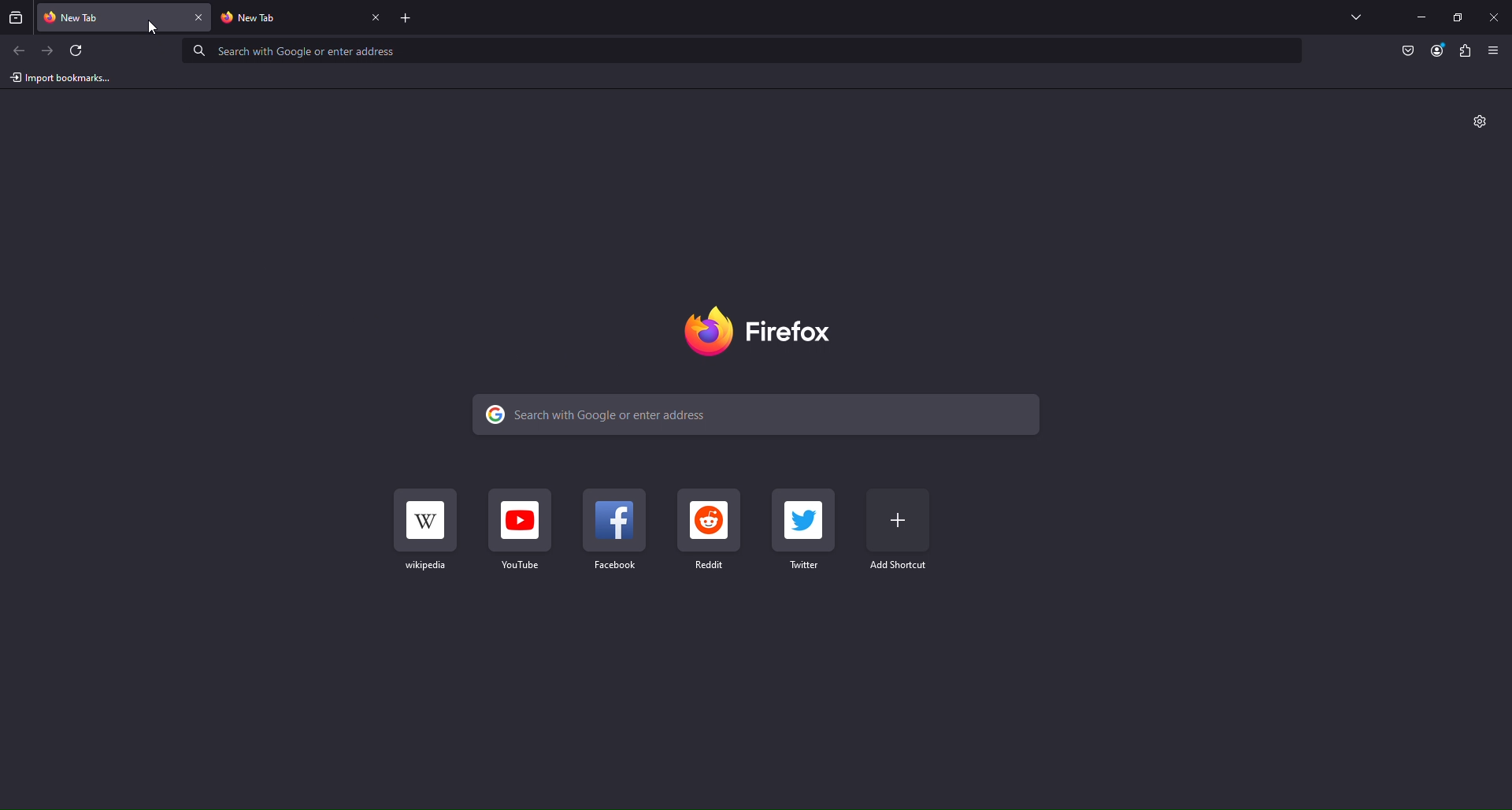 Image resolution: width=1512 pixels, height=810 pixels. I want to click on Next, so click(50, 51).